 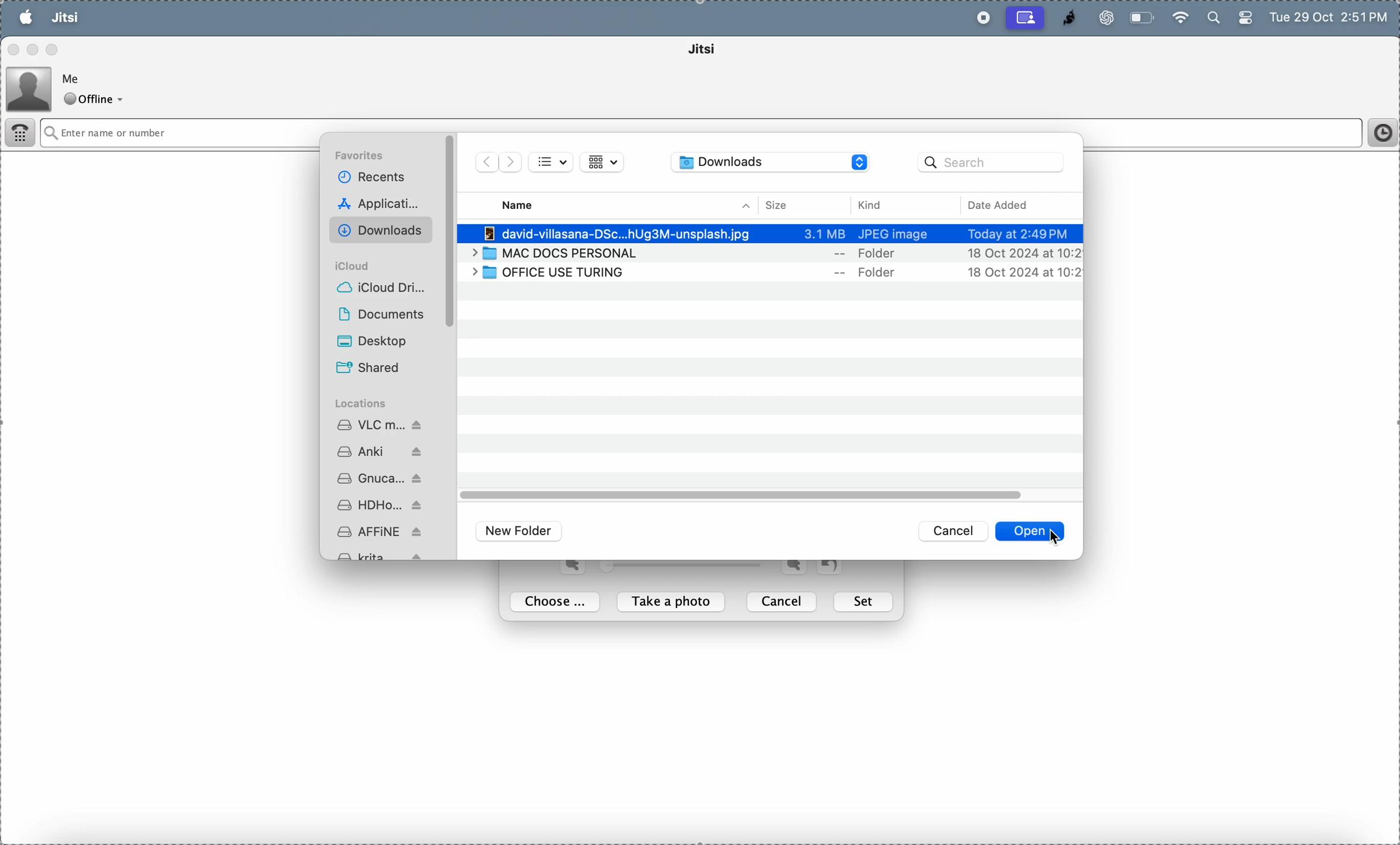 I want to click on cancel, so click(x=955, y=532).